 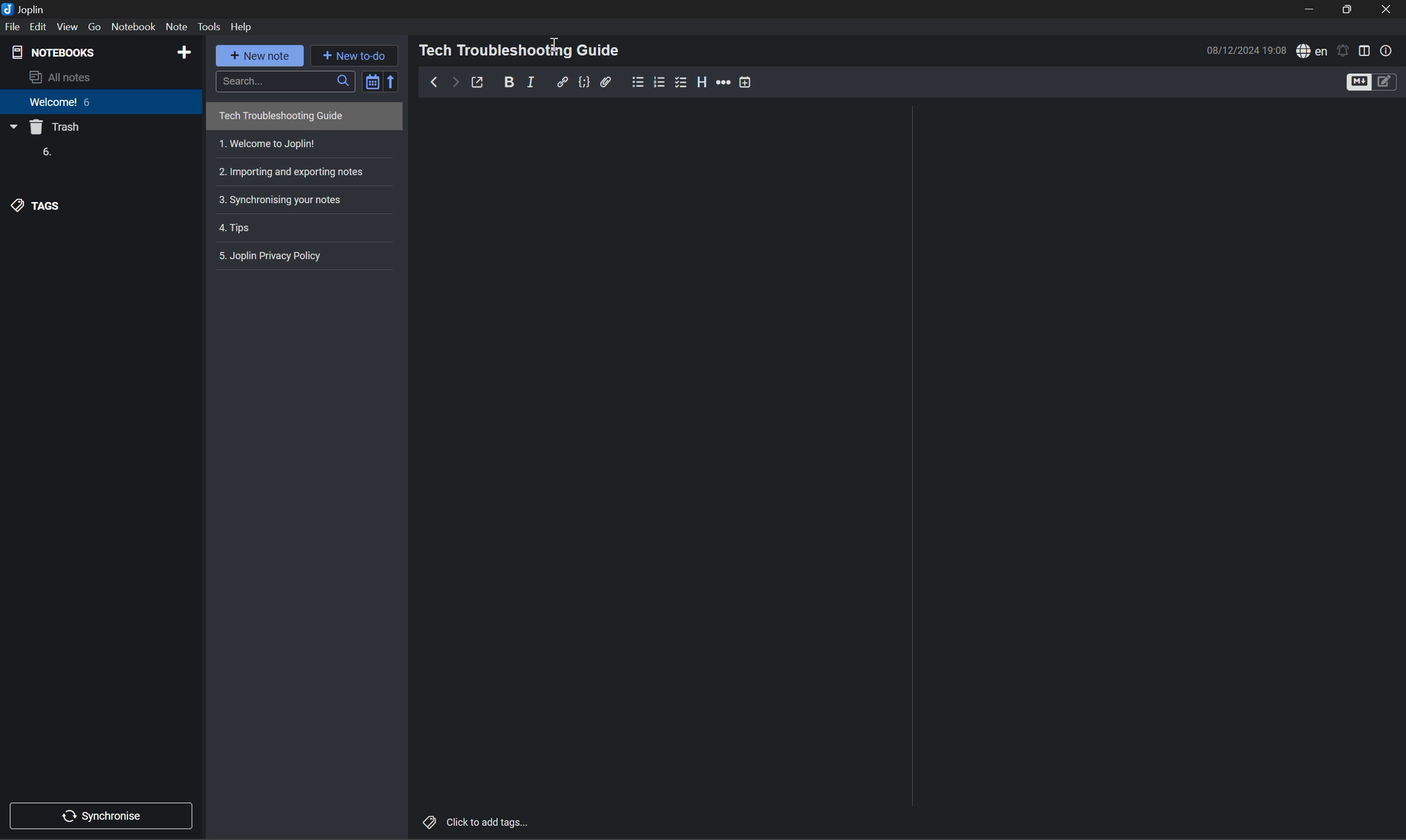 I want to click on File, so click(x=12, y=27).